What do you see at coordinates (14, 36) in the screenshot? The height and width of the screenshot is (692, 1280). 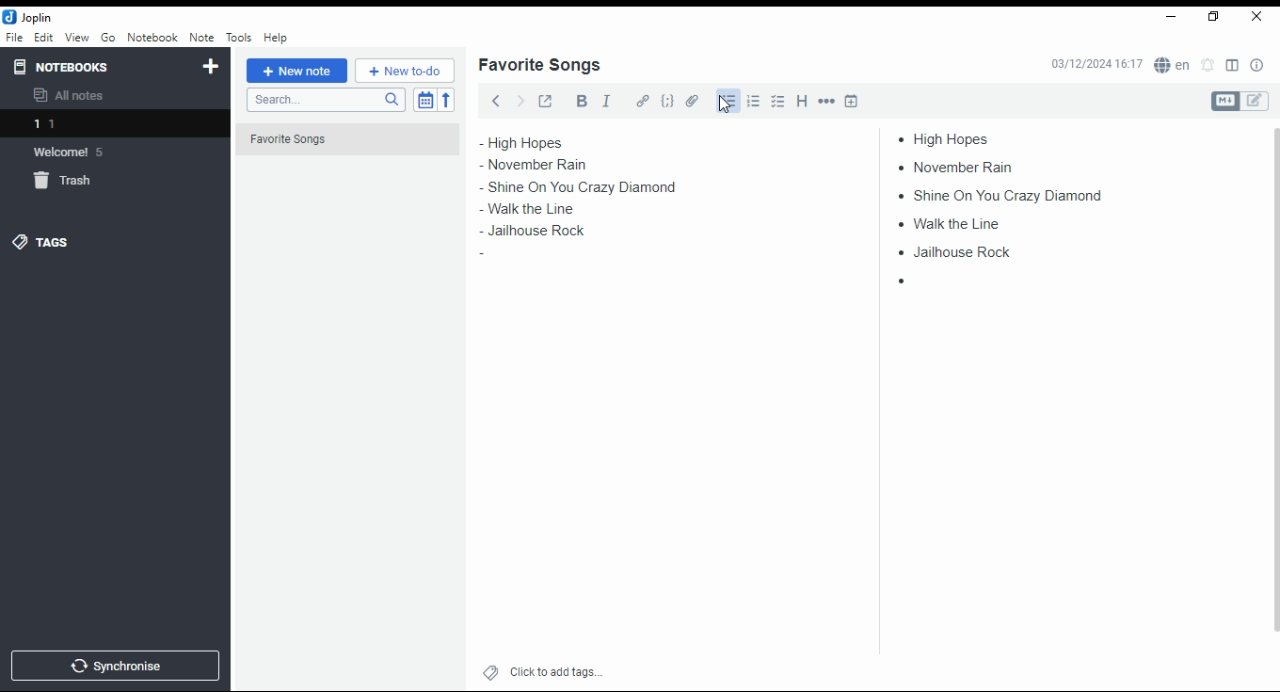 I see `file` at bounding box center [14, 36].